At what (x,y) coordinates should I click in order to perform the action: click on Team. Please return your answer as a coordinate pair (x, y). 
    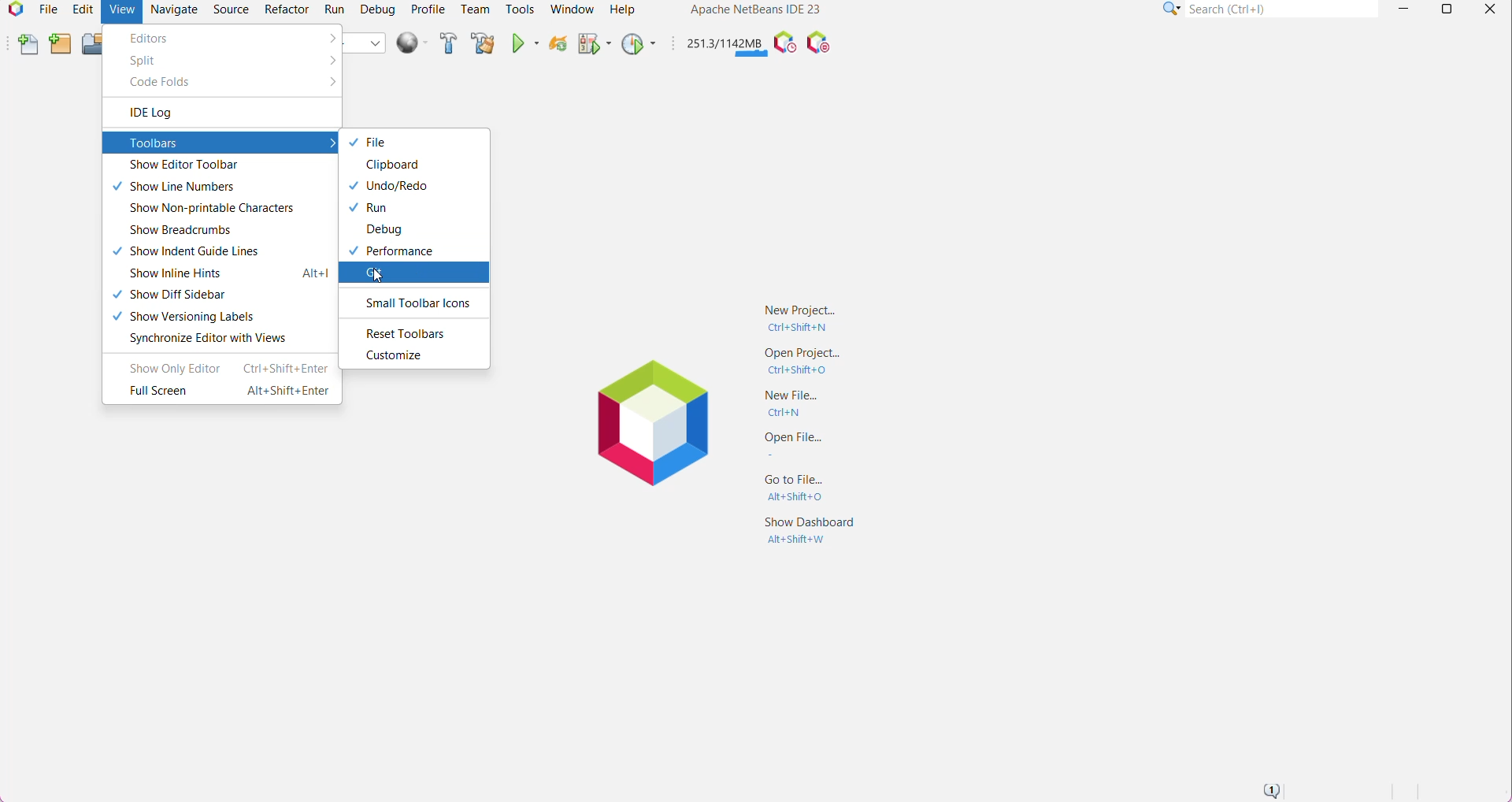
    Looking at the image, I should click on (475, 9).